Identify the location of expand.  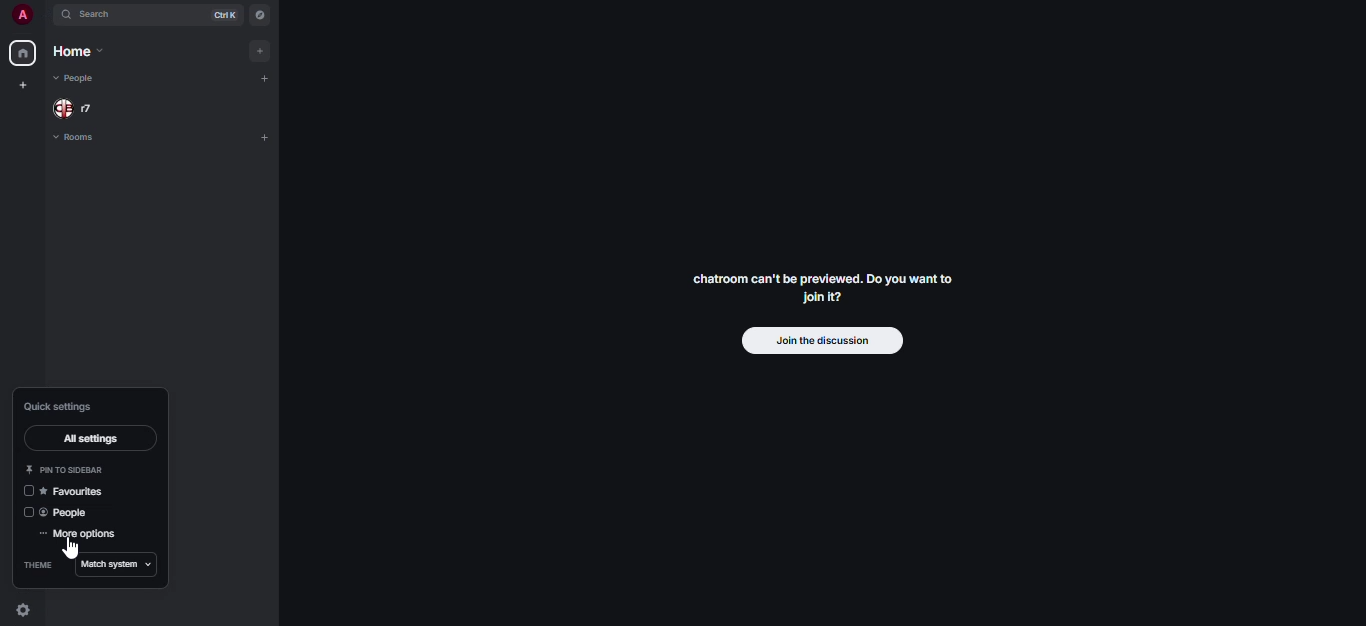
(46, 15).